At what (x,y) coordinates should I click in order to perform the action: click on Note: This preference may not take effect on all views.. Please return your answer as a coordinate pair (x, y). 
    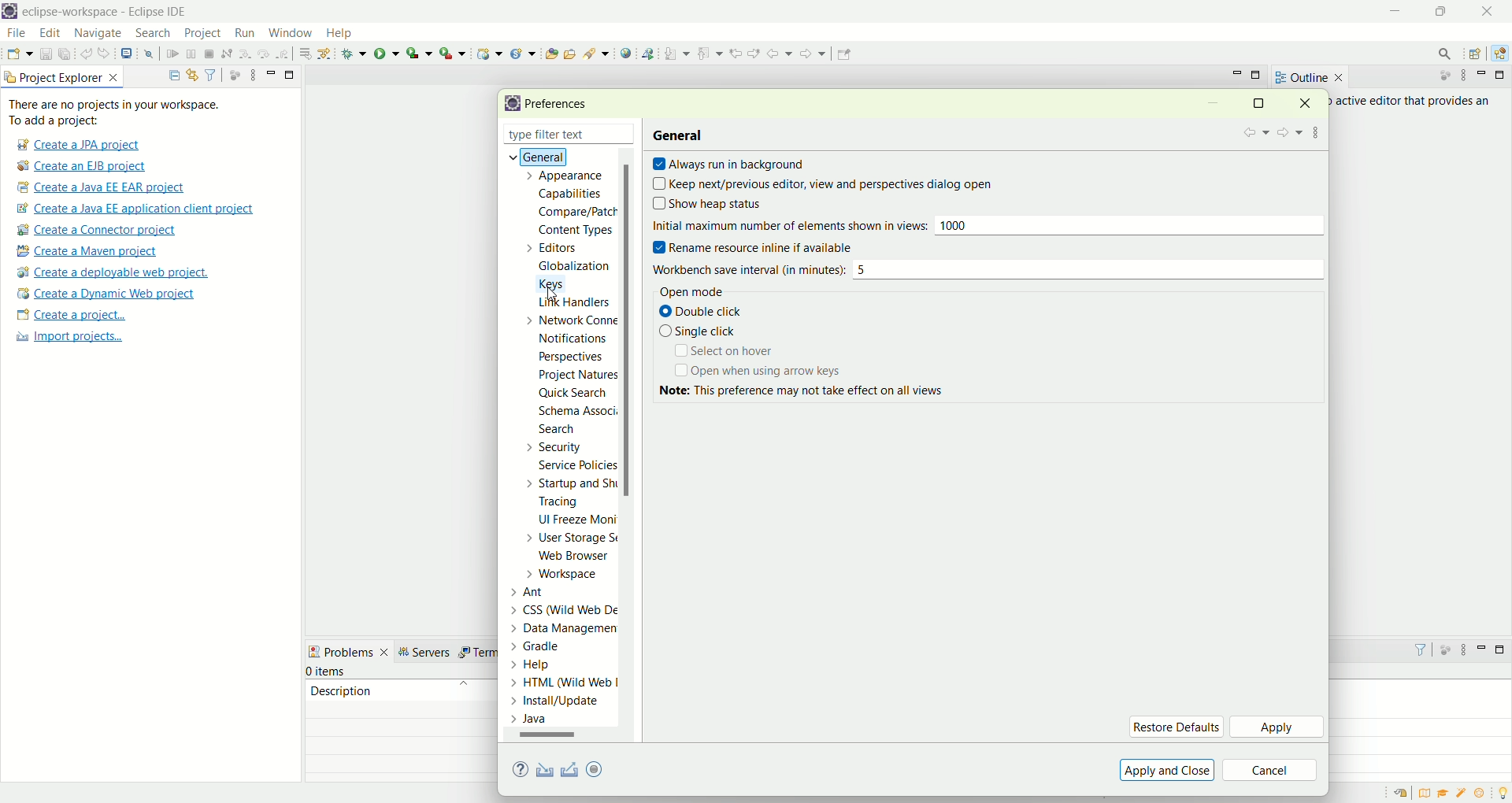
    Looking at the image, I should click on (816, 396).